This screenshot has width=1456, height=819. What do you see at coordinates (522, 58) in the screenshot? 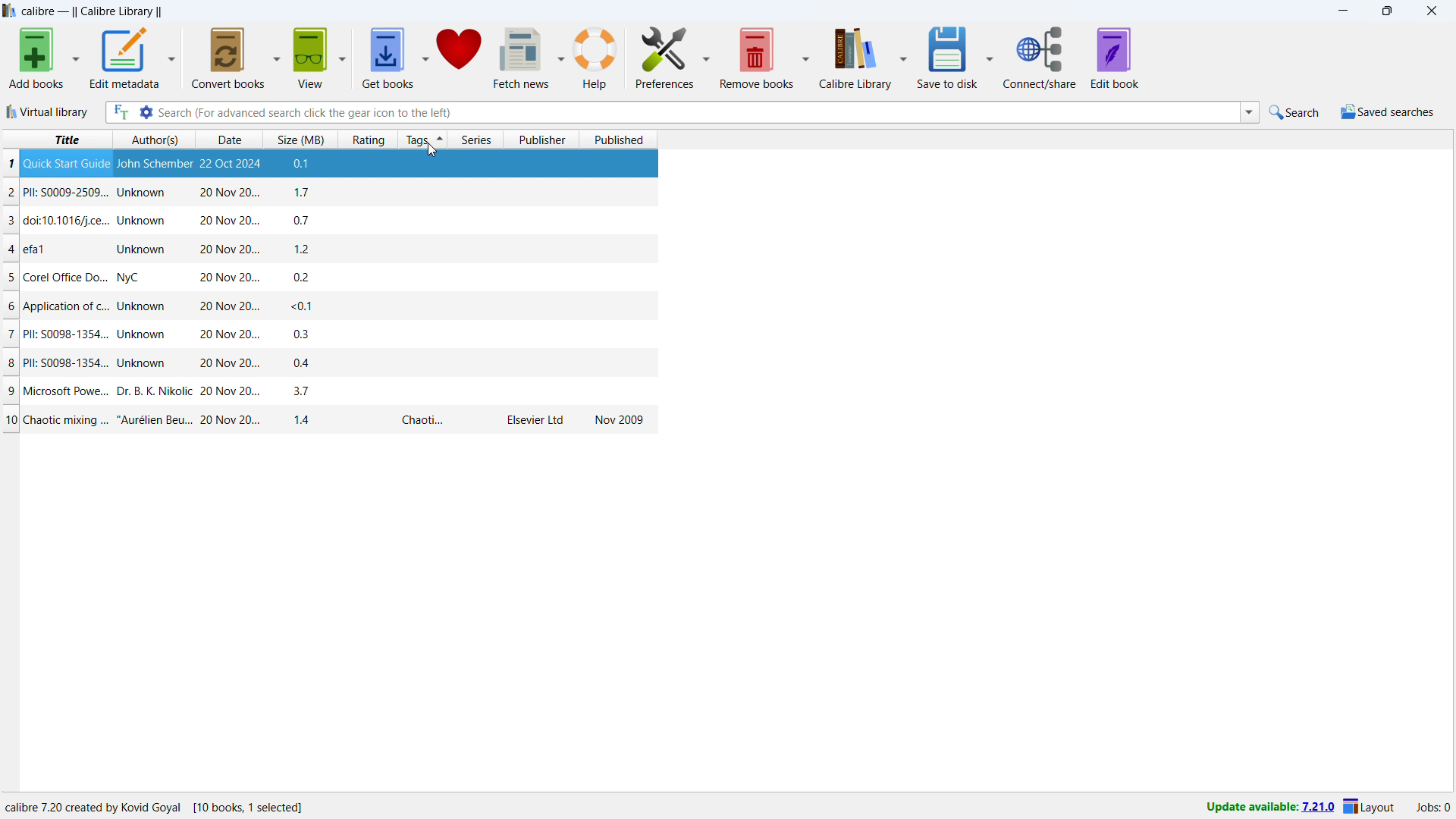
I see `fetch news` at bounding box center [522, 58].